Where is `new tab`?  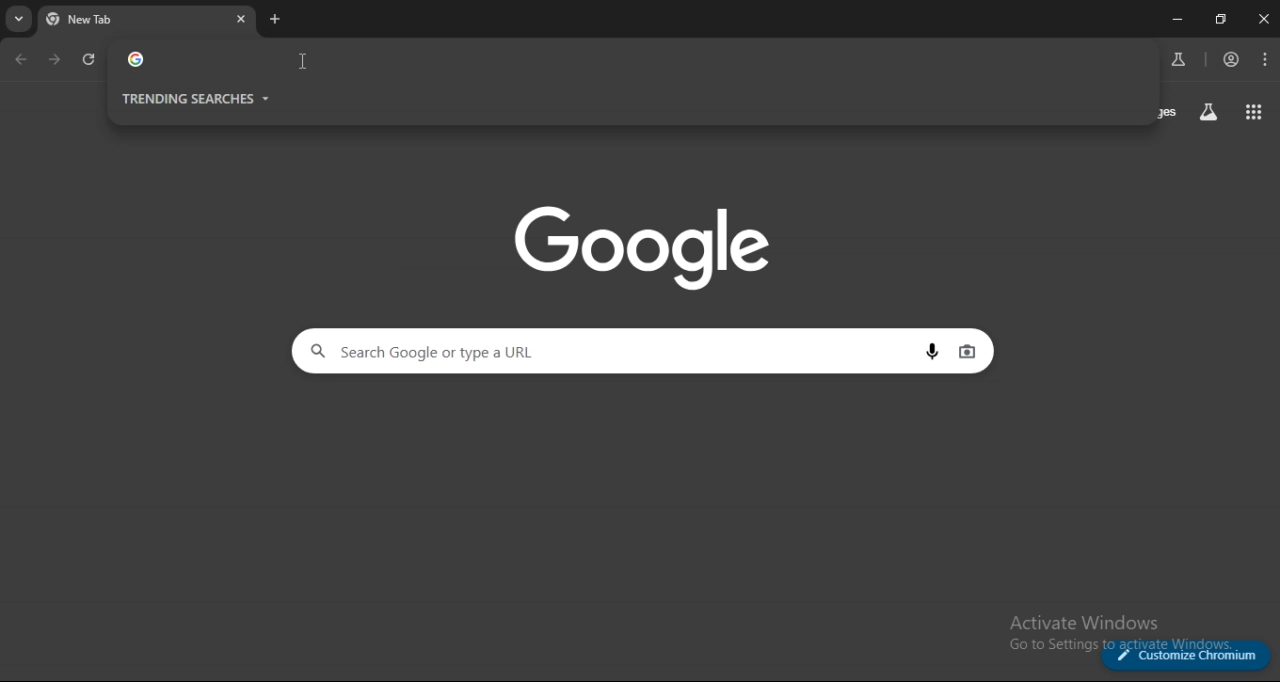
new tab is located at coordinates (275, 19).